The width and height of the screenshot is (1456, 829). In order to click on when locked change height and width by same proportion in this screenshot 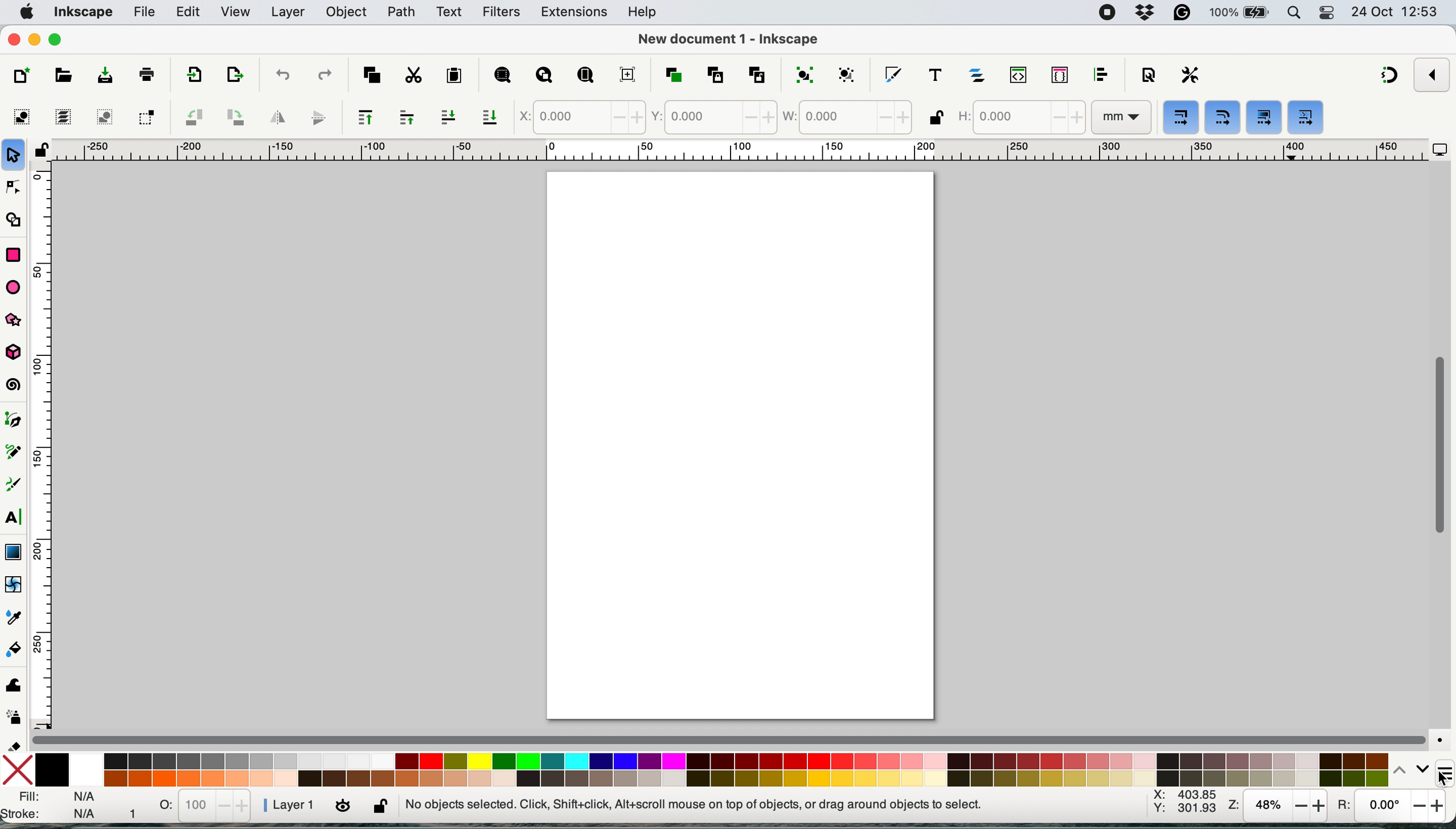, I will do `click(934, 118)`.